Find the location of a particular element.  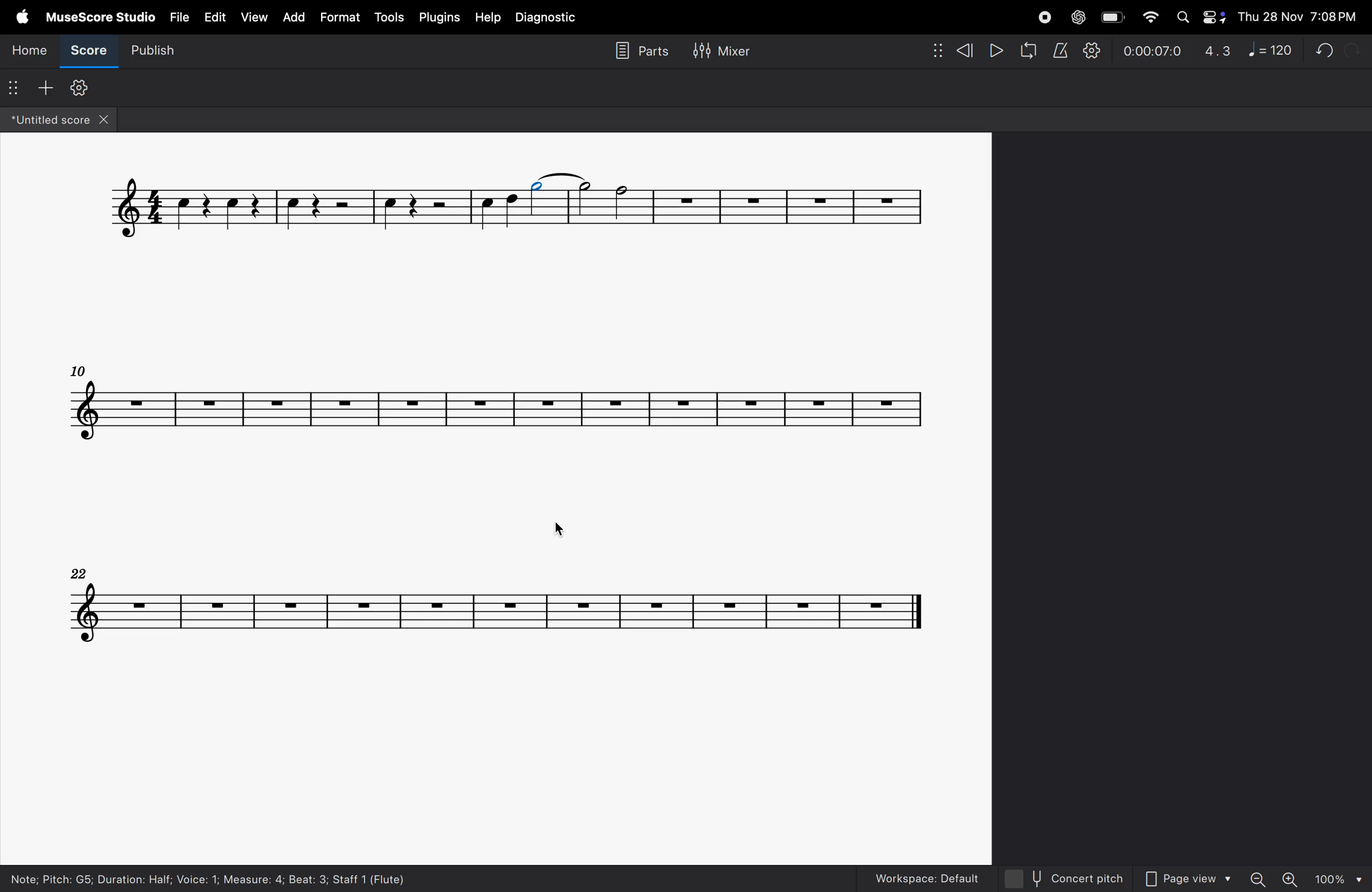

wifi is located at coordinates (1146, 18).